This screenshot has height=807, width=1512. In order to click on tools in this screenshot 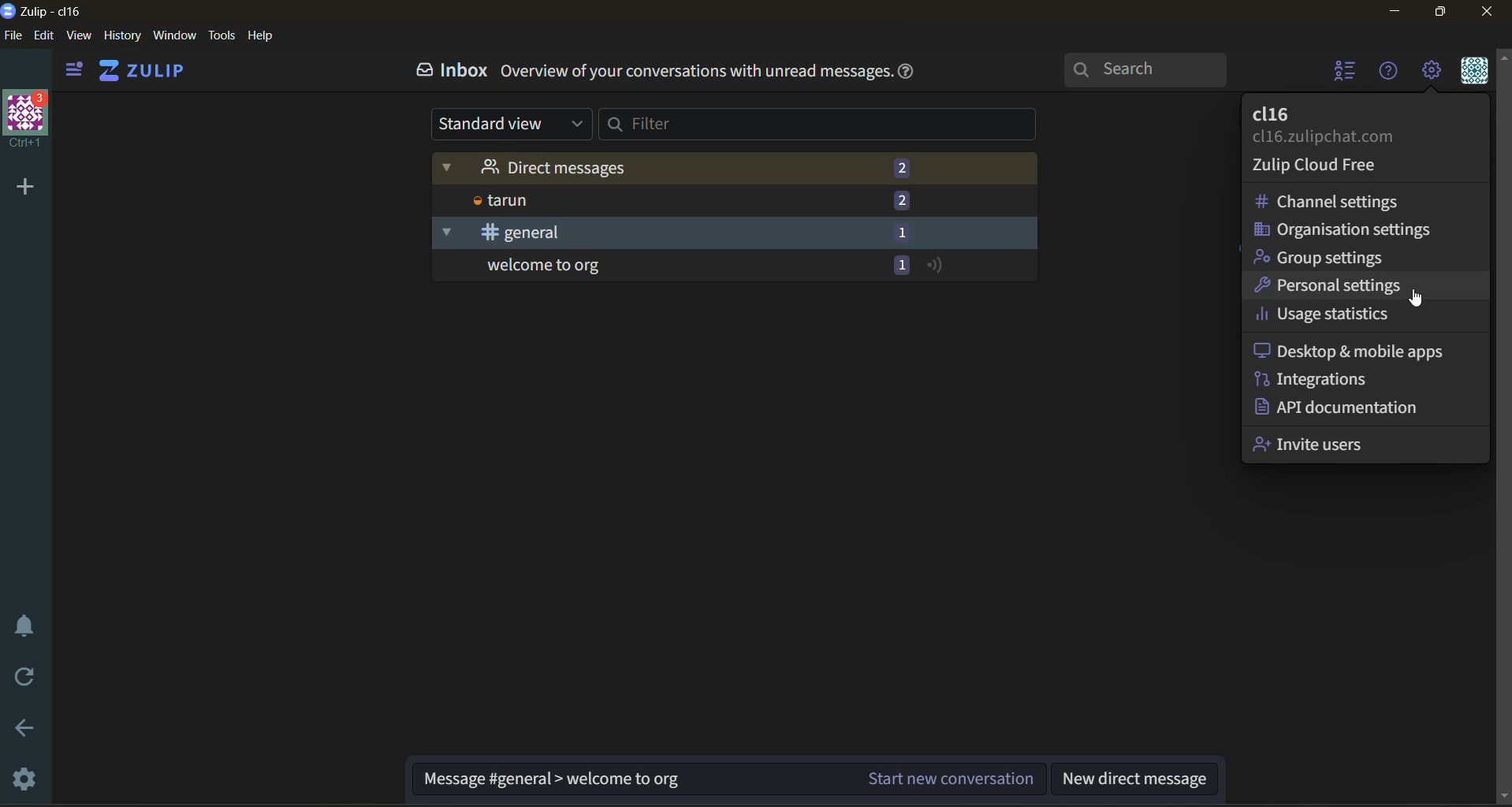, I will do `click(222, 35)`.